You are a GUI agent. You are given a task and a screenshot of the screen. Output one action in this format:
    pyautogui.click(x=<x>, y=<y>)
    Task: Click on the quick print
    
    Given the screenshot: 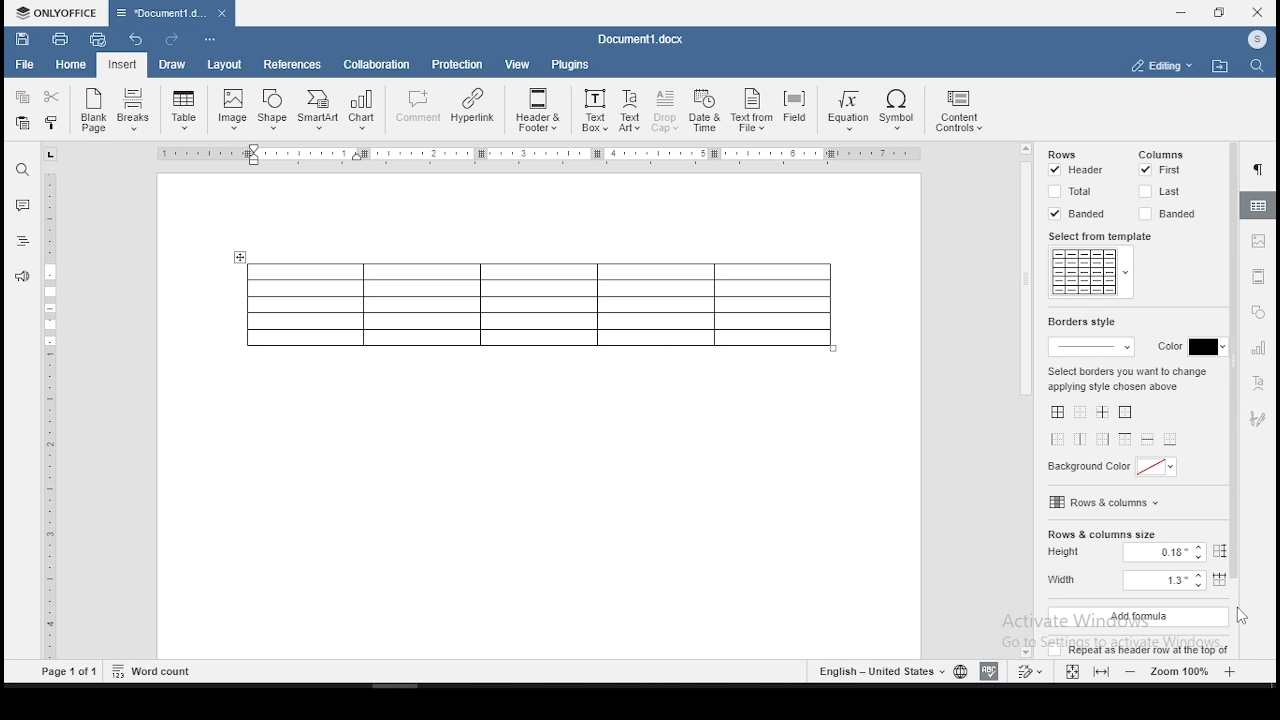 What is the action you would take?
    pyautogui.click(x=98, y=39)
    